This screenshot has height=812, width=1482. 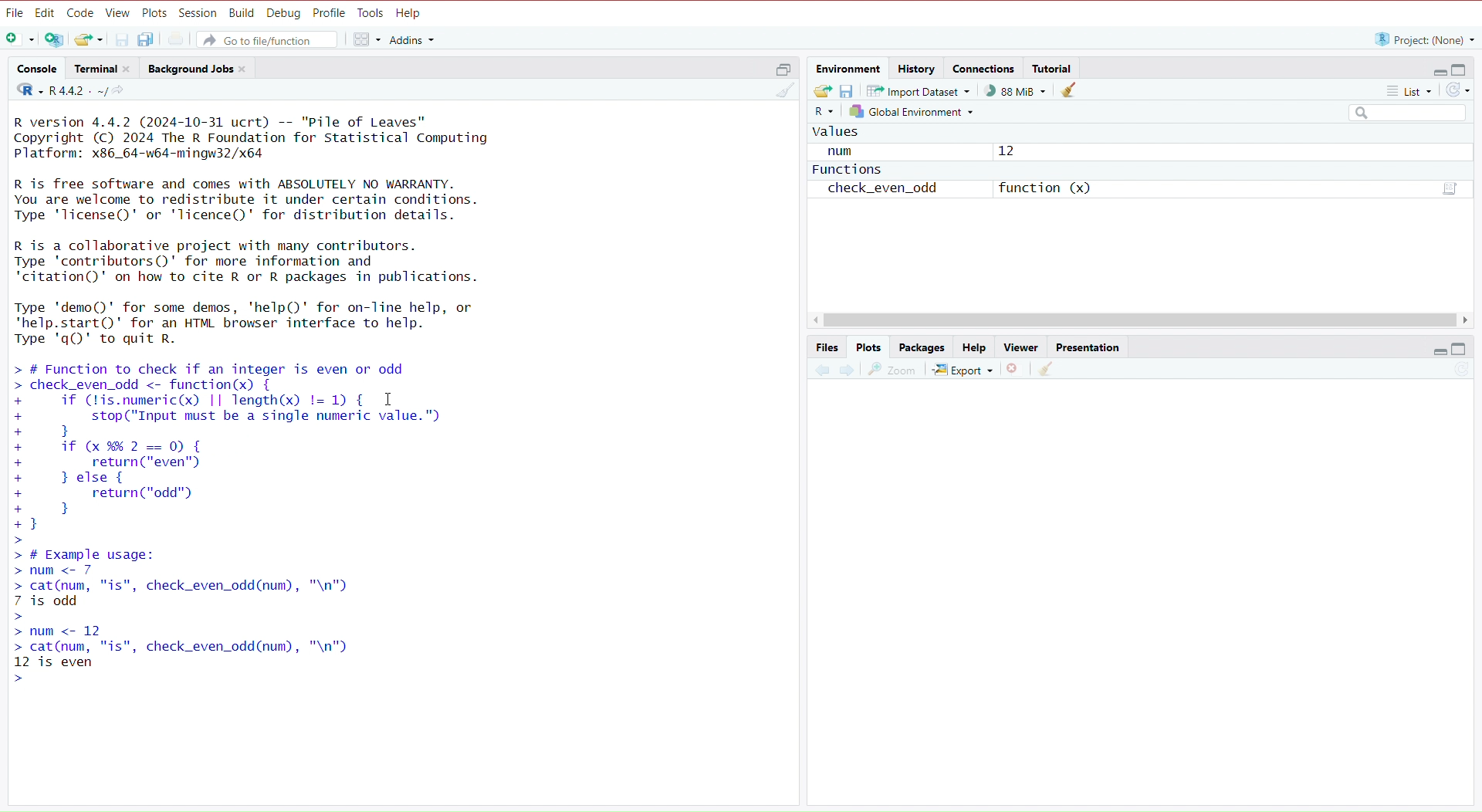 What do you see at coordinates (822, 114) in the screenshot?
I see `R` at bounding box center [822, 114].